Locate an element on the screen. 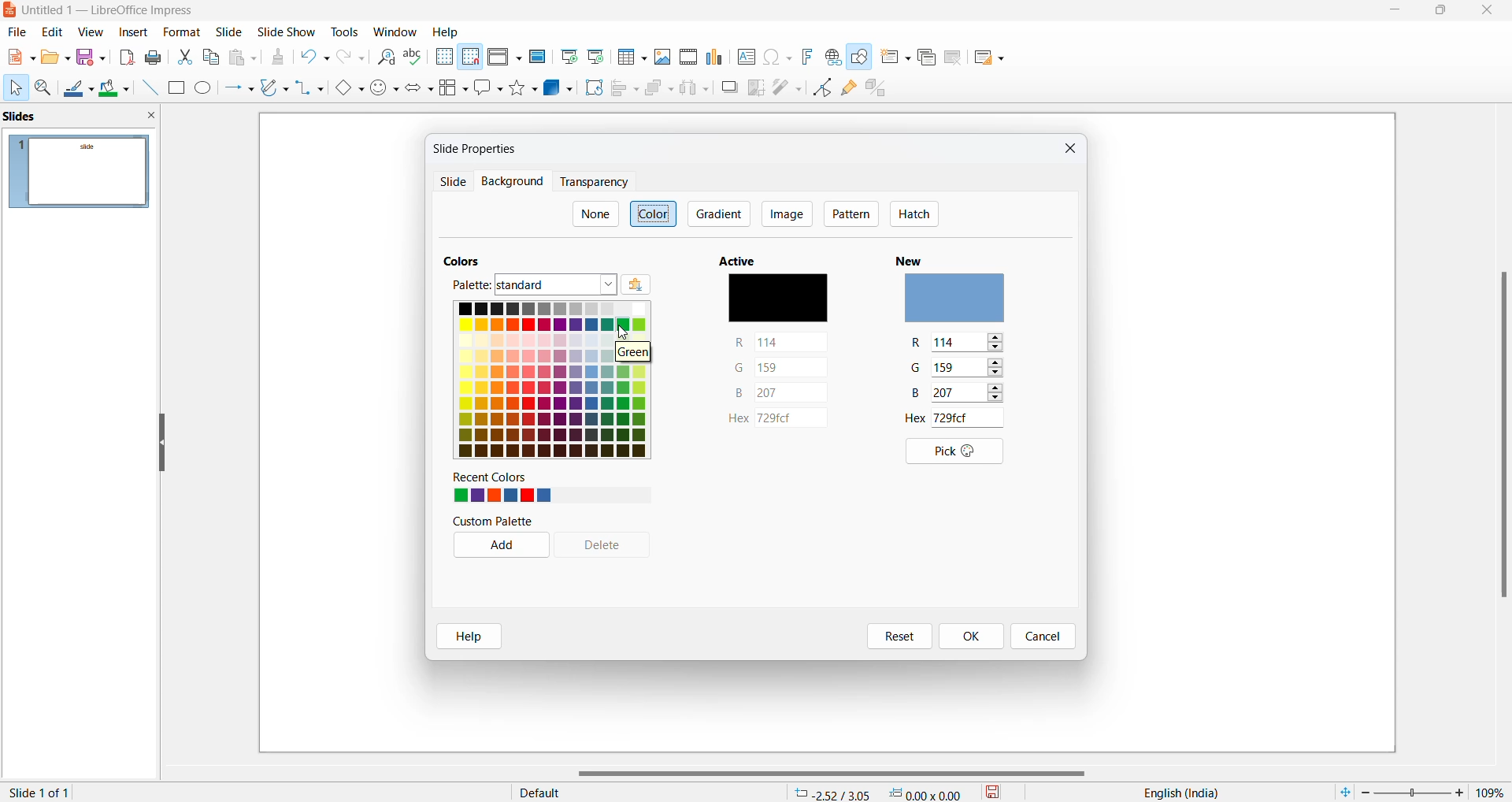  slide is located at coordinates (451, 184).